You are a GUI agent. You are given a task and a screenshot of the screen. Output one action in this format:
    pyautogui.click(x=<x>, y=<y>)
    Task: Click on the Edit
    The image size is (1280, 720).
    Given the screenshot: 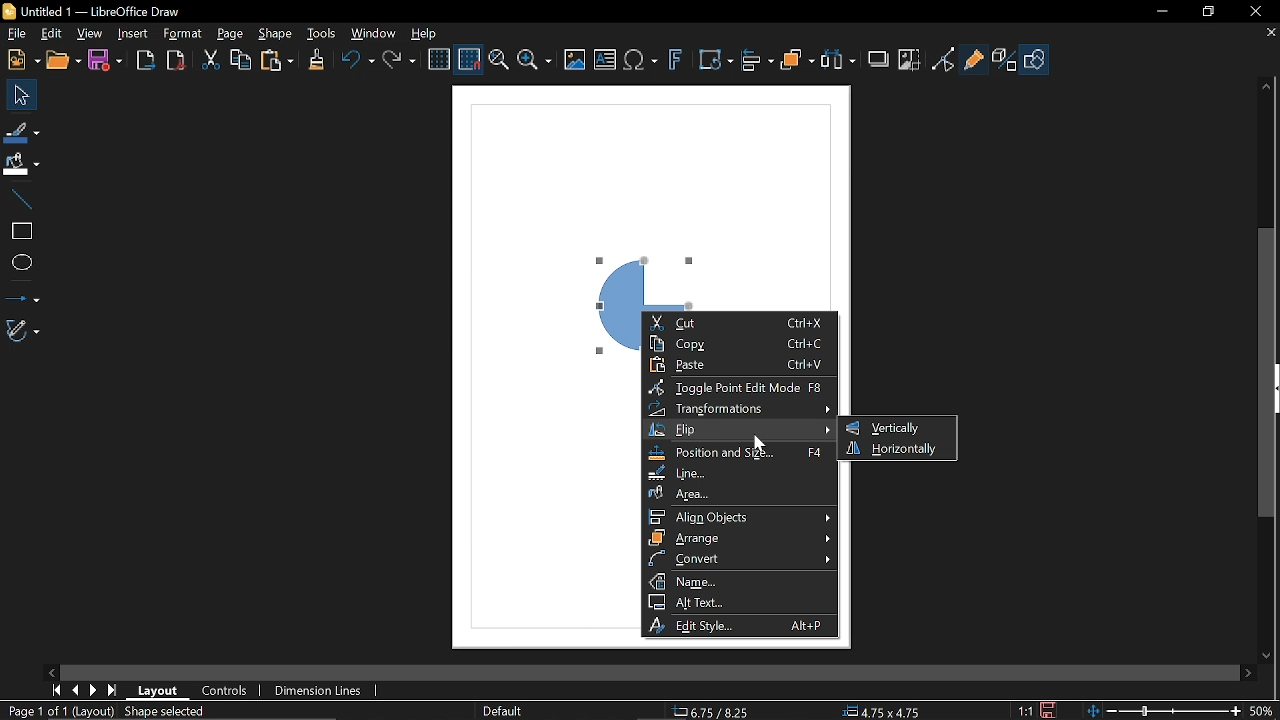 What is the action you would take?
    pyautogui.click(x=50, y=34)
    